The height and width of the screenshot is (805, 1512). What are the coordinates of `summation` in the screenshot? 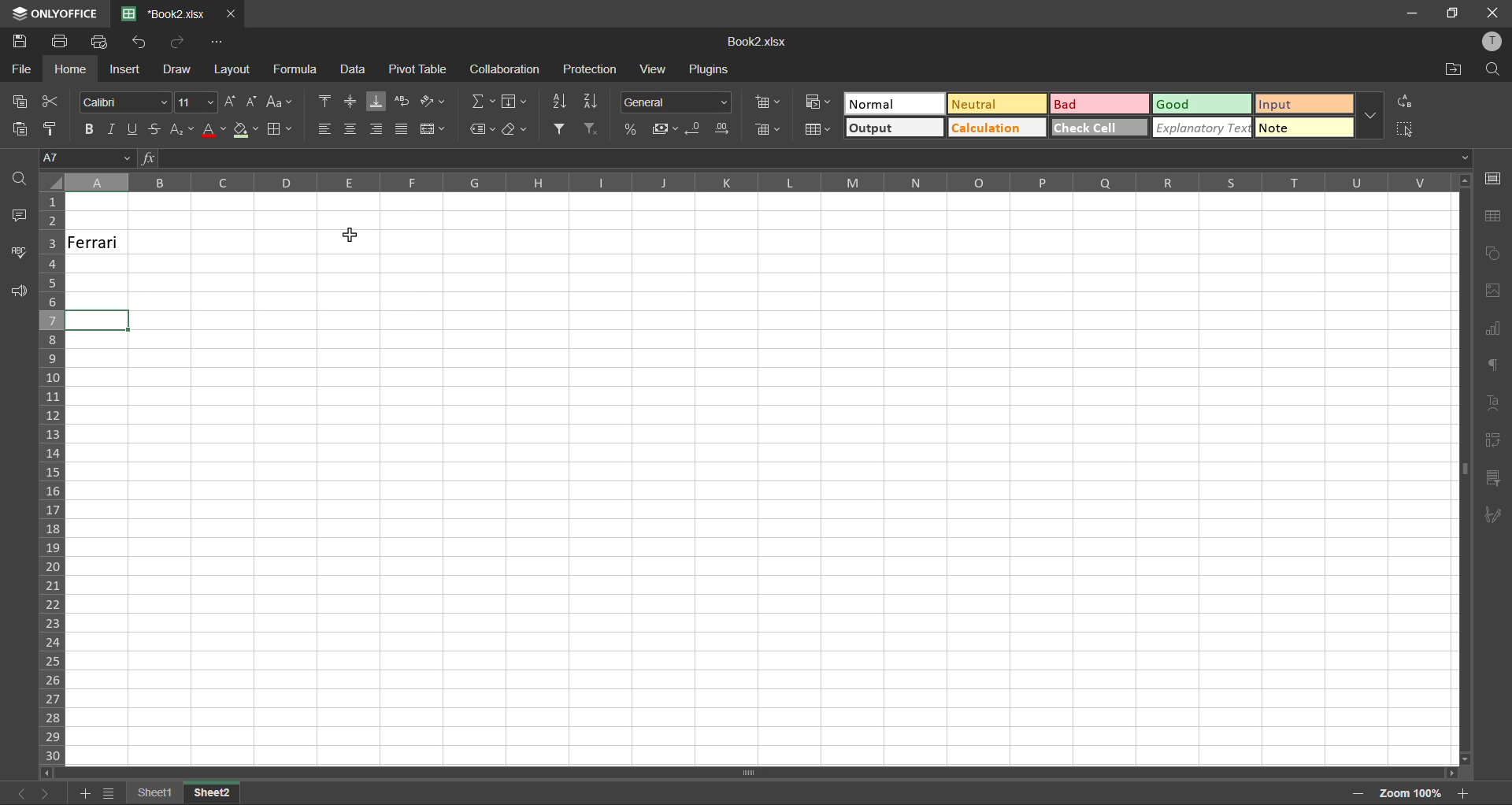 It's located at (484, 102).